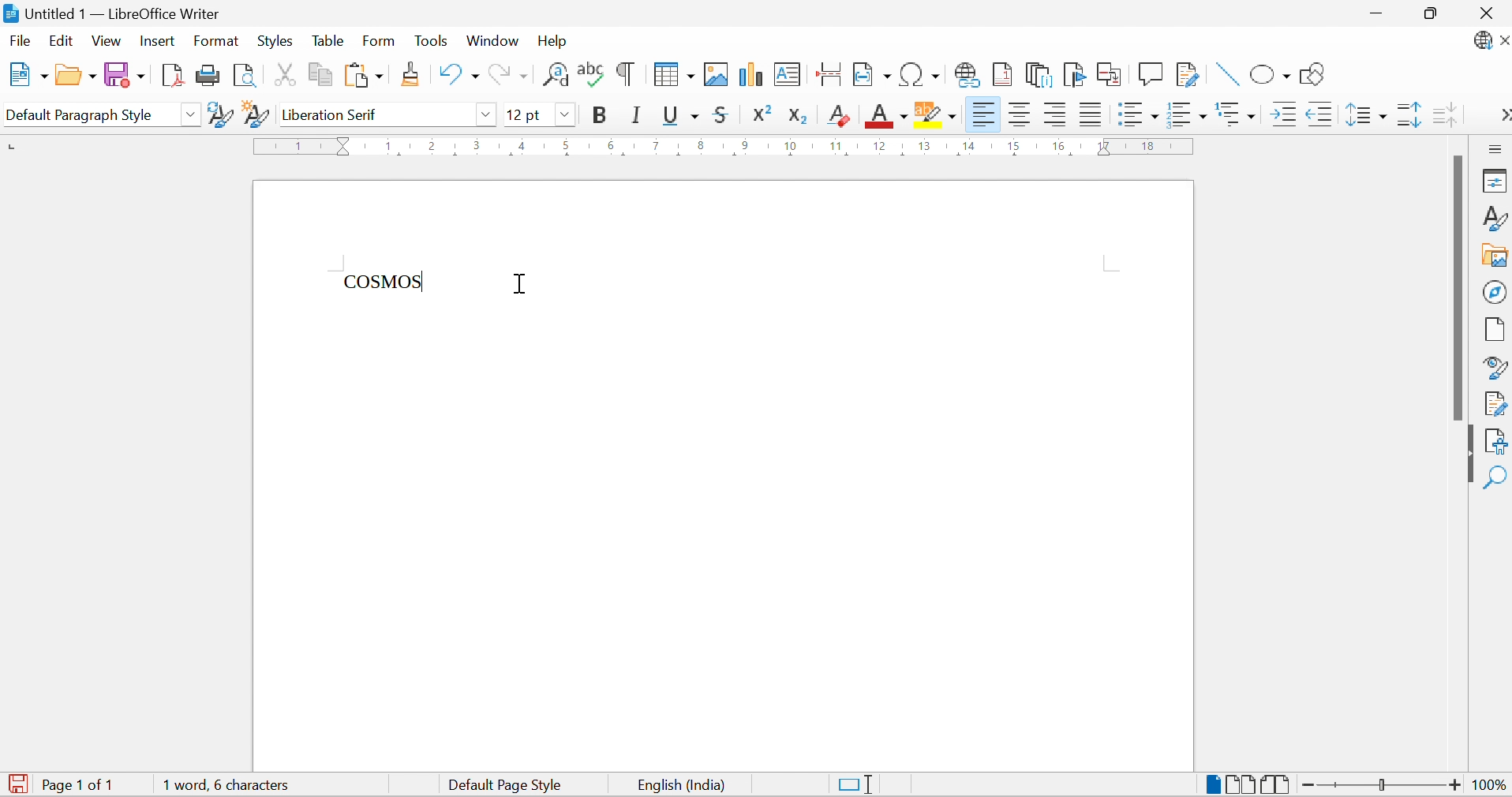  I want to click on Scroll Bar, so click(1458, 287).